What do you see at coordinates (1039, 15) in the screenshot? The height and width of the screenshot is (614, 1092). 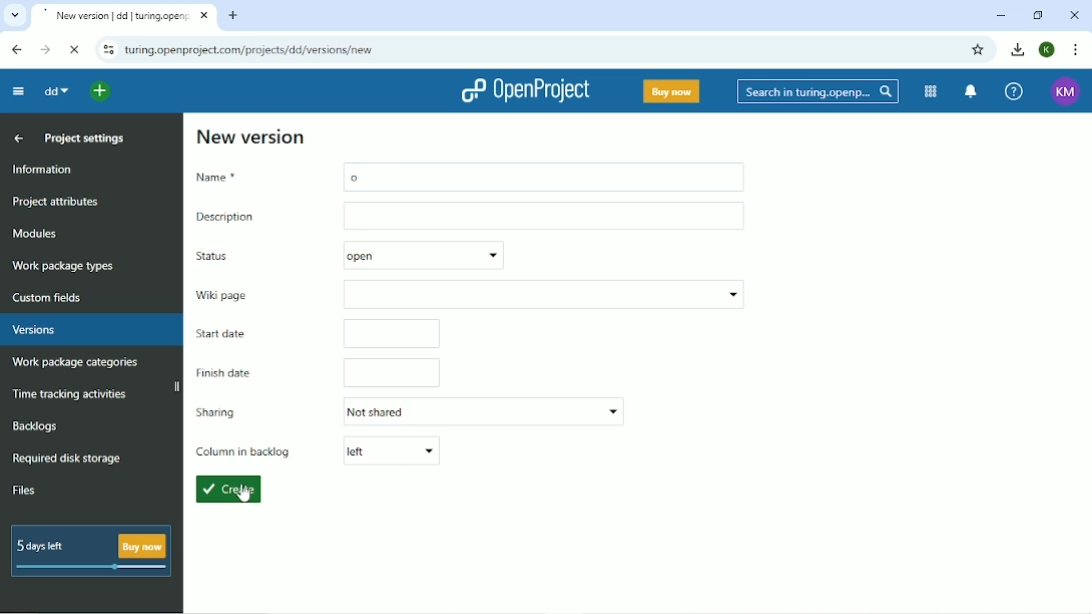 I see `Restore down` at bounding box center [1039, 15].